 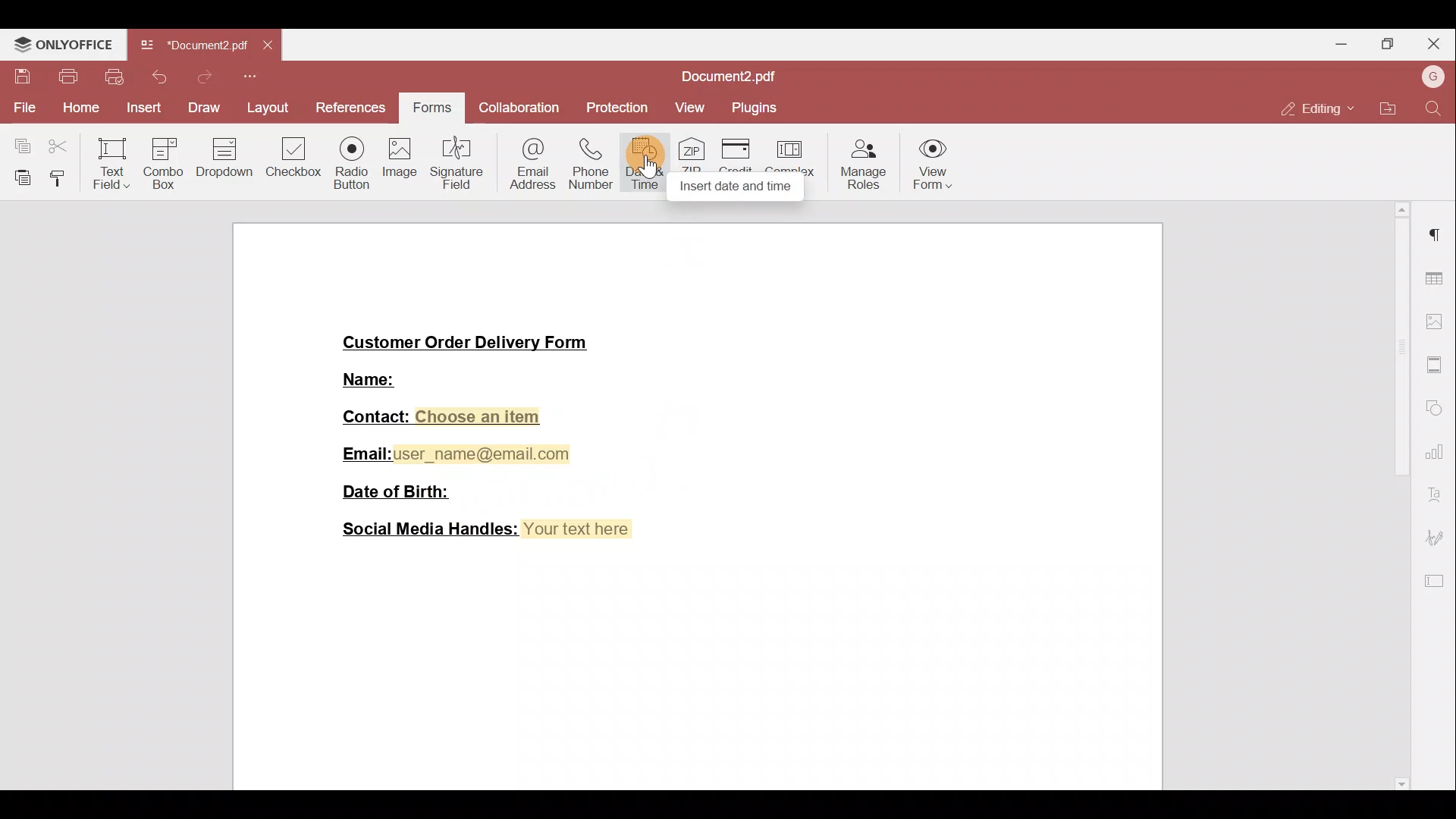 I want to click on Signature settings, so click(x=1438, y=538).